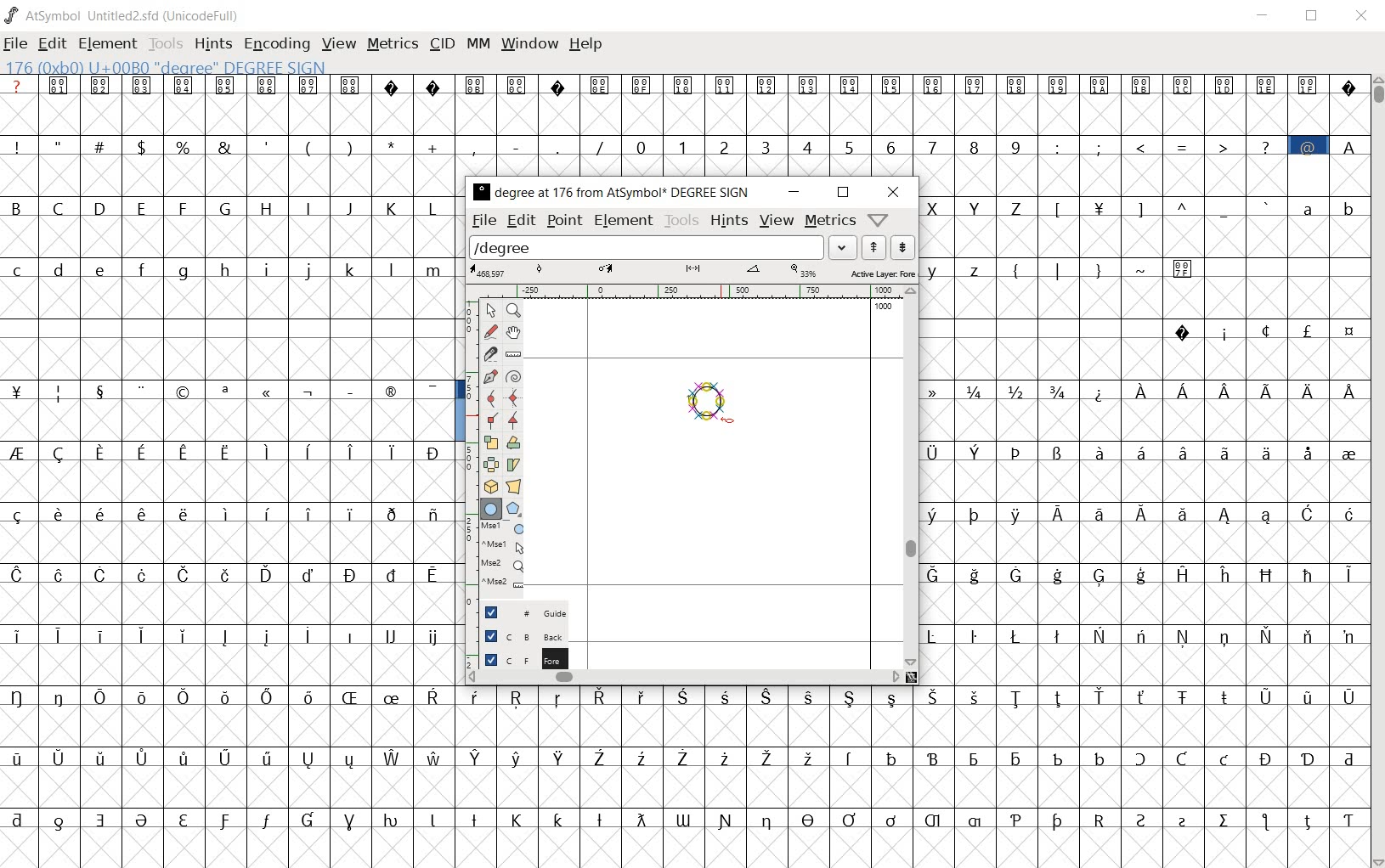  I want to click on special letters, so click(232, 449).